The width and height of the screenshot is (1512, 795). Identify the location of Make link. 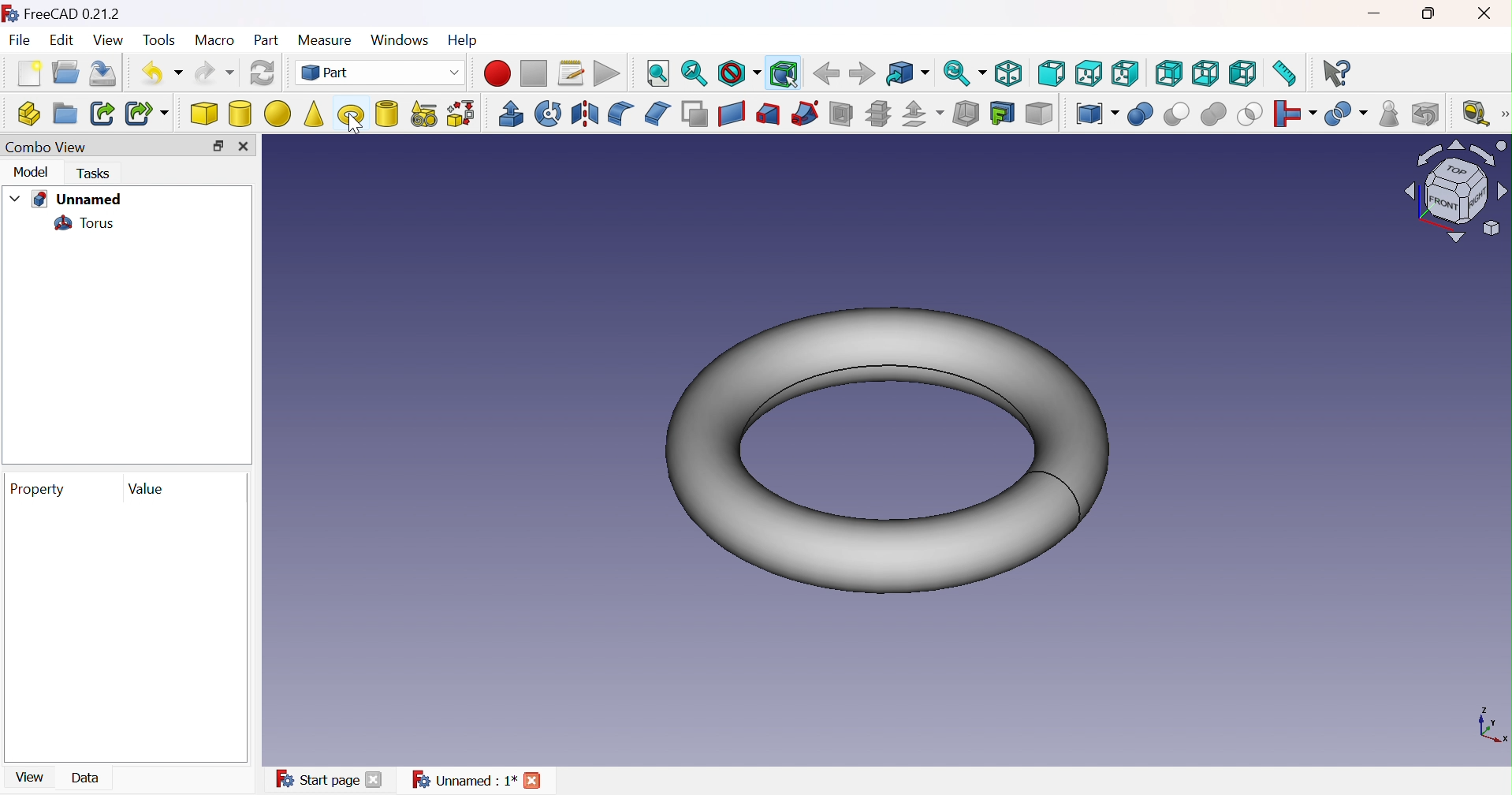
(103, 113).